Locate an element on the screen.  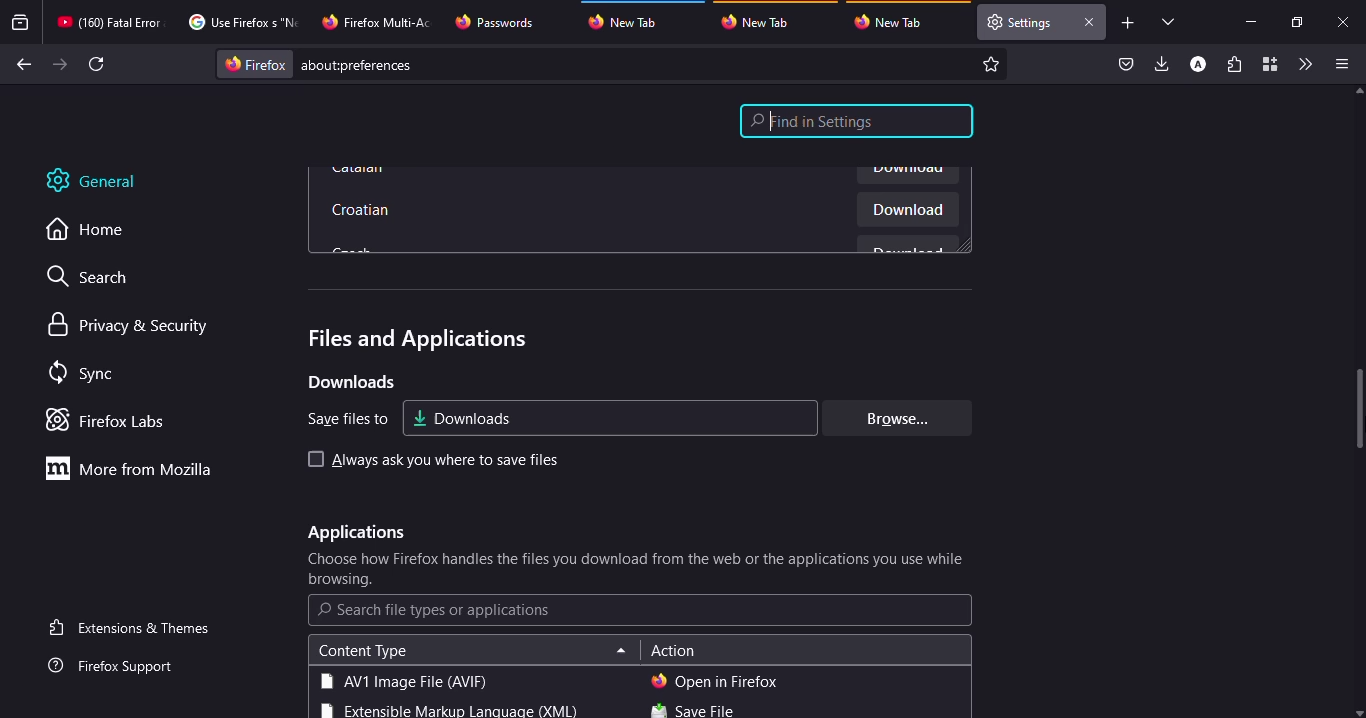
general is located at coordinates (105, 181).